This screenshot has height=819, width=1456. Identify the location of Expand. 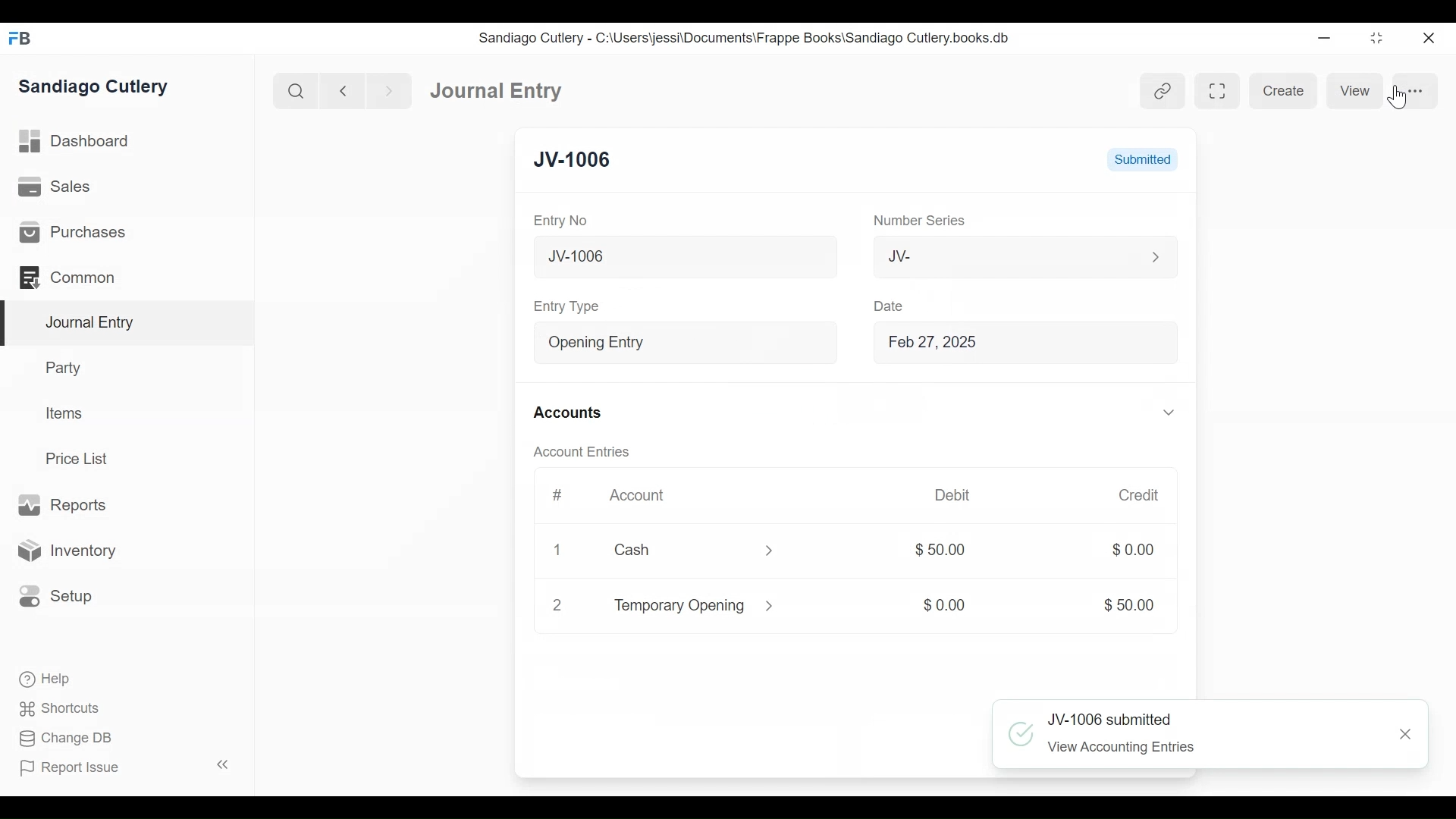
(816, 344).